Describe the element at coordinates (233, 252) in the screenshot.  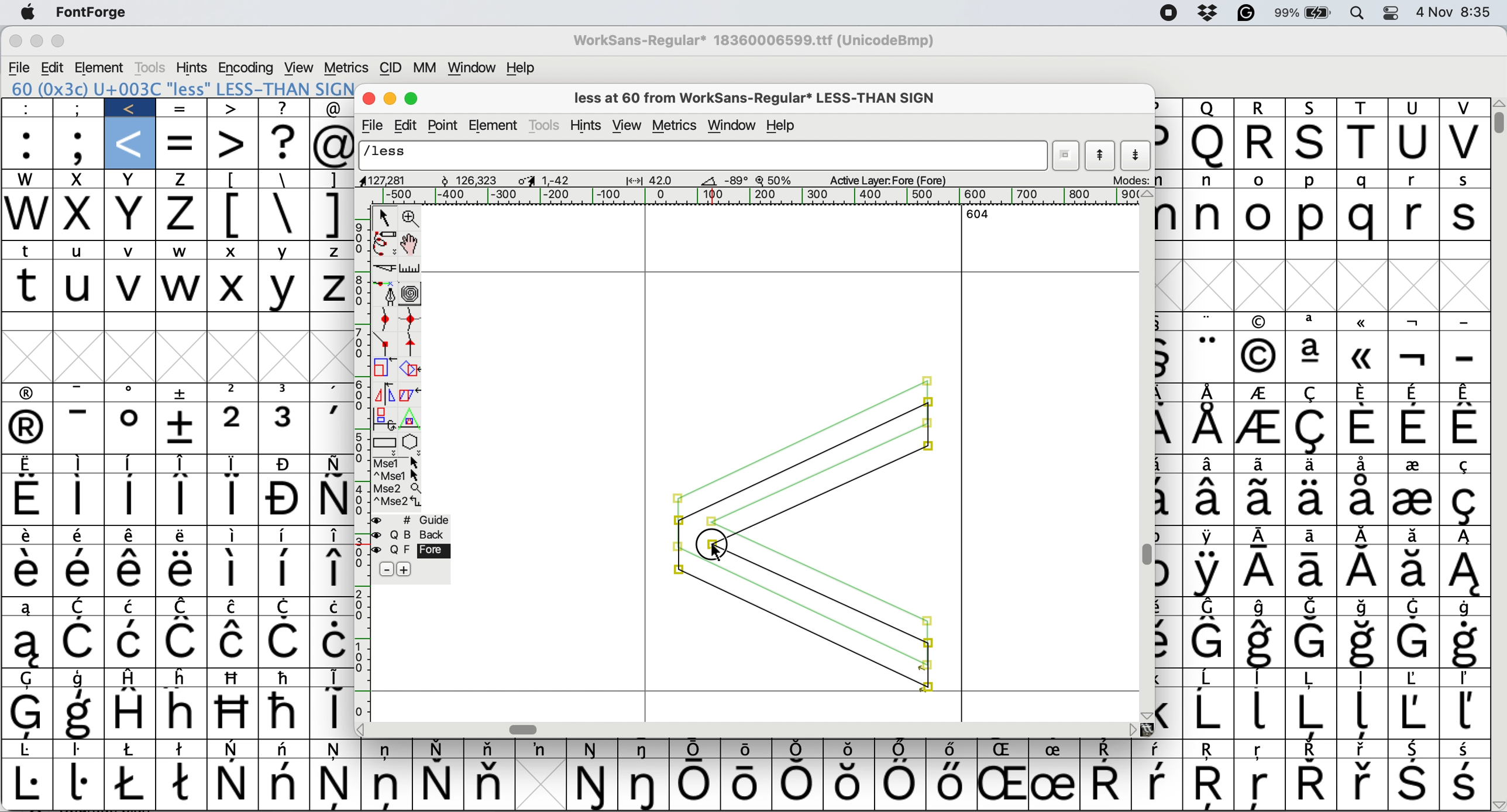
I see `x` at that location.